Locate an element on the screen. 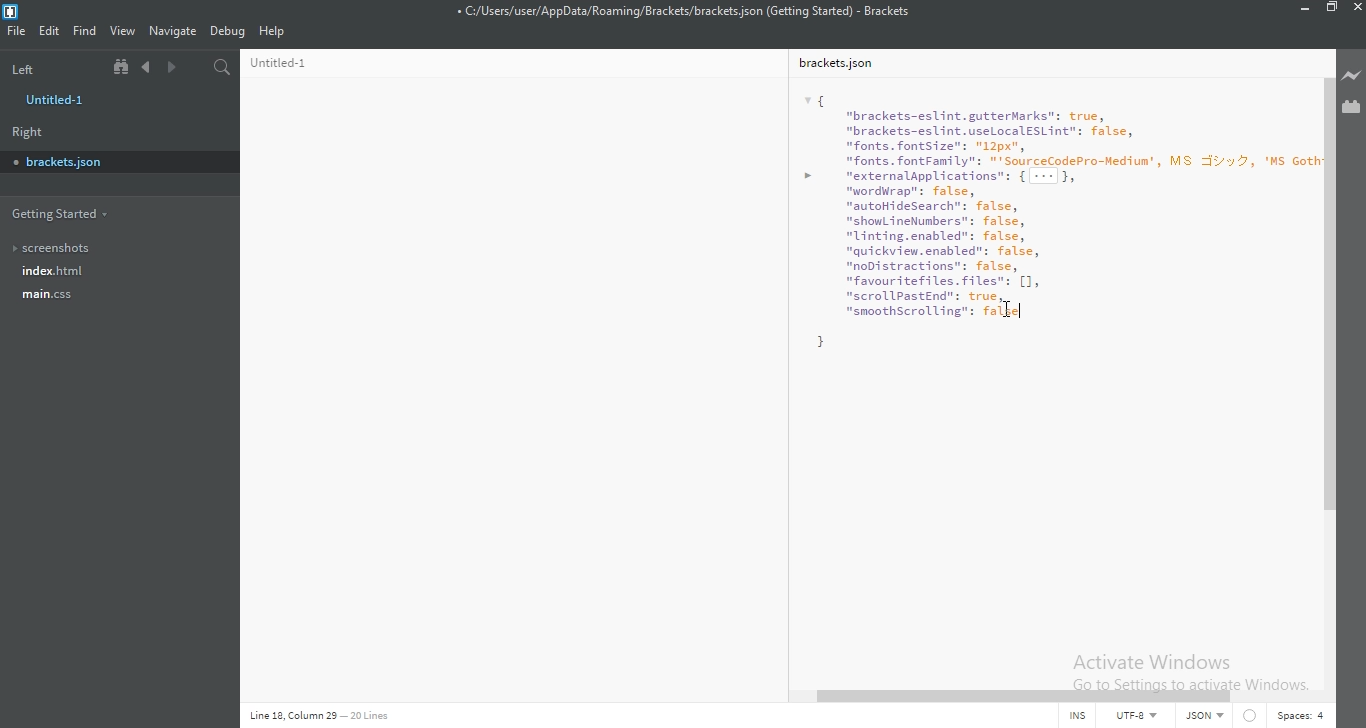 Image resolution: width=1366 pixels, height=728 pixels. JSON is located at coordinates (1210, 718).